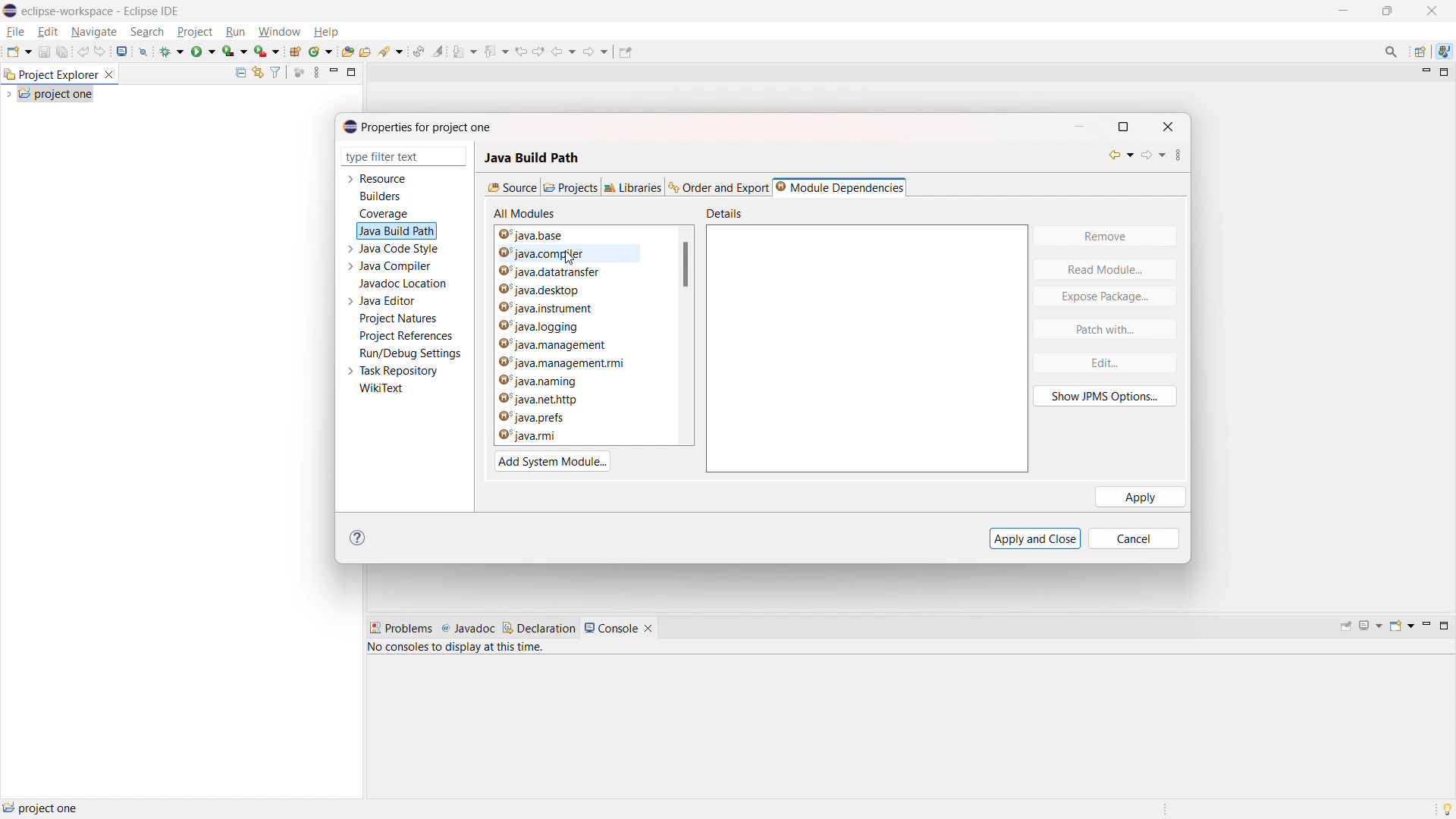 Image resolution: width=1456 pixels, height=819 pixels. Describe the element at coordinates (539, 628) in the screenshot. I see `declaration` at that location.